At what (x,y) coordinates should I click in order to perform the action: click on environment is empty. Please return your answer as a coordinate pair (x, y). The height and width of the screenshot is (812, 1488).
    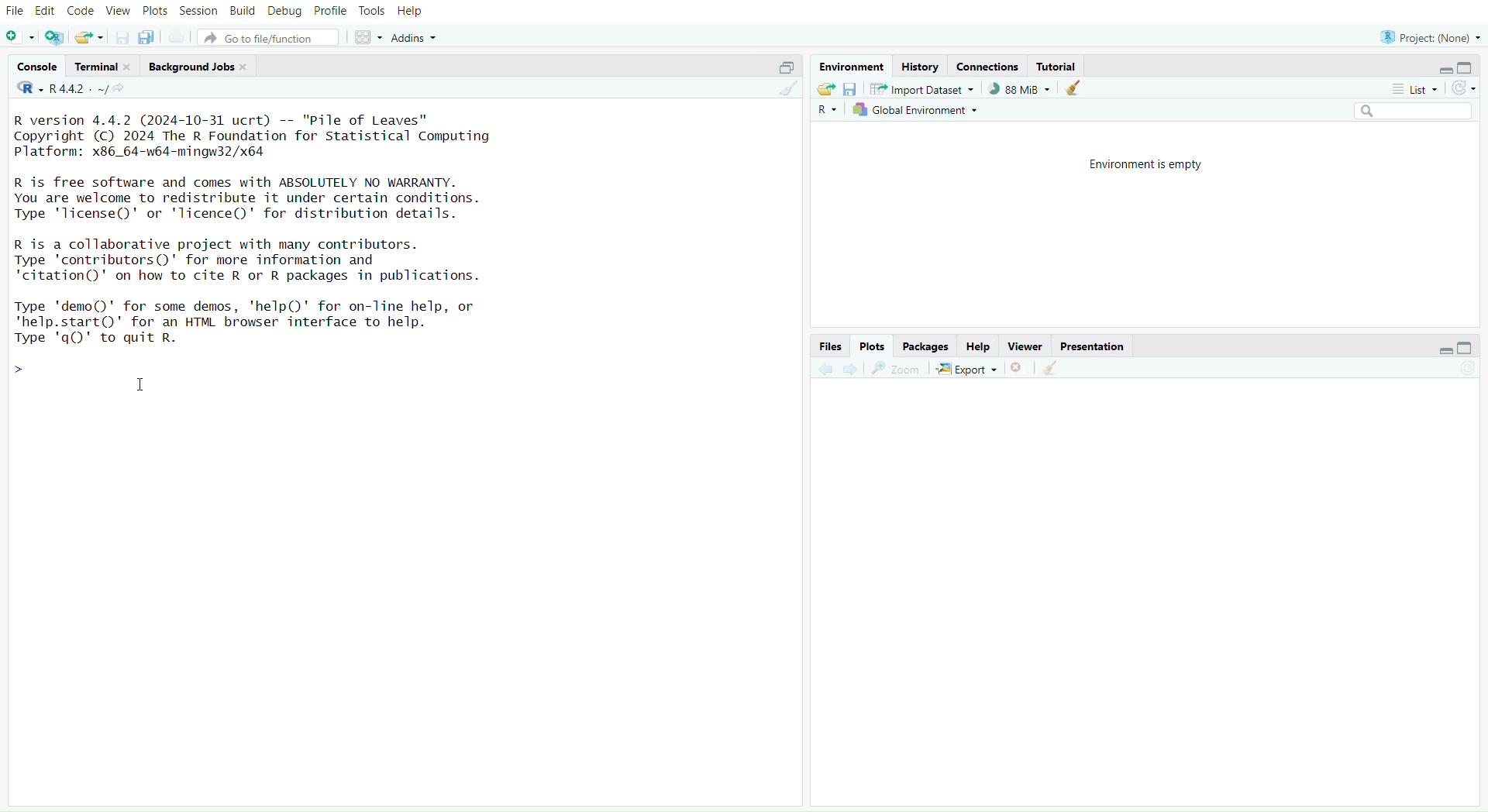
    Looking at the image, I should click on (1140, 163).